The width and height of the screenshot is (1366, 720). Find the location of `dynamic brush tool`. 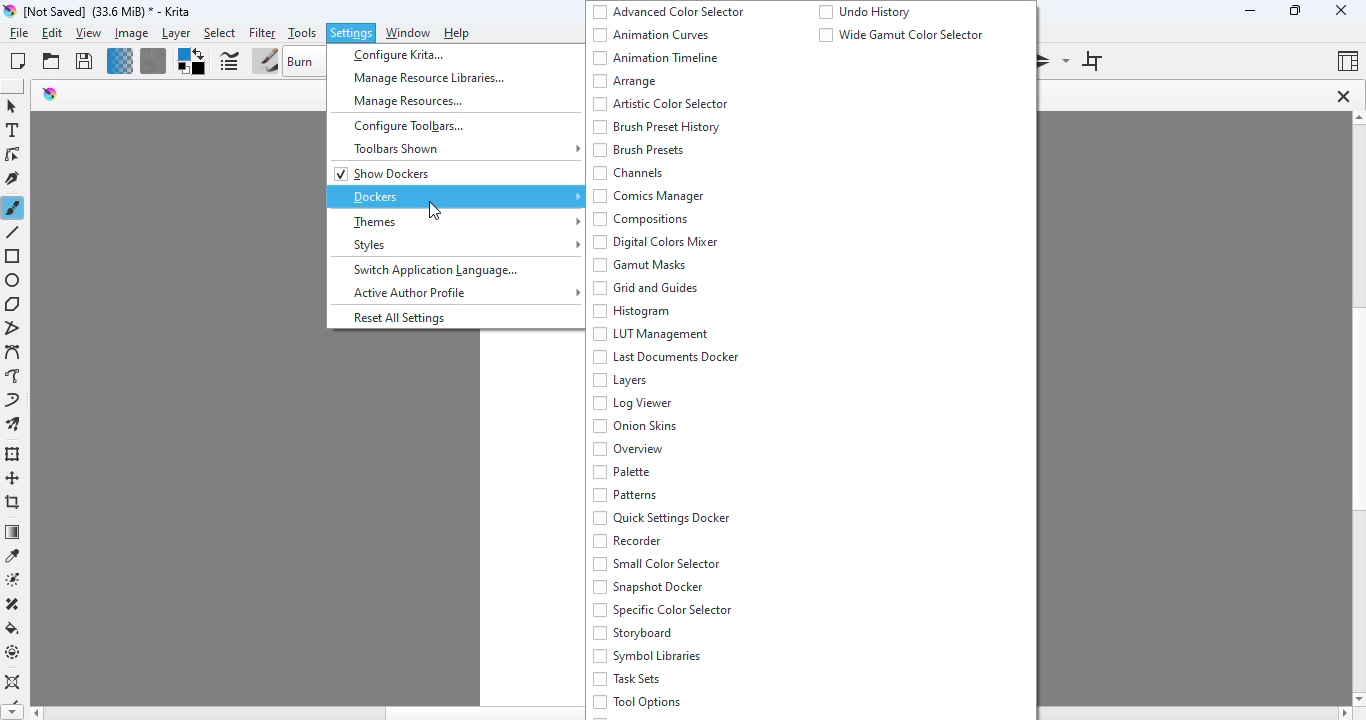

dynamic brush tool is located at coordinates (12, 401).